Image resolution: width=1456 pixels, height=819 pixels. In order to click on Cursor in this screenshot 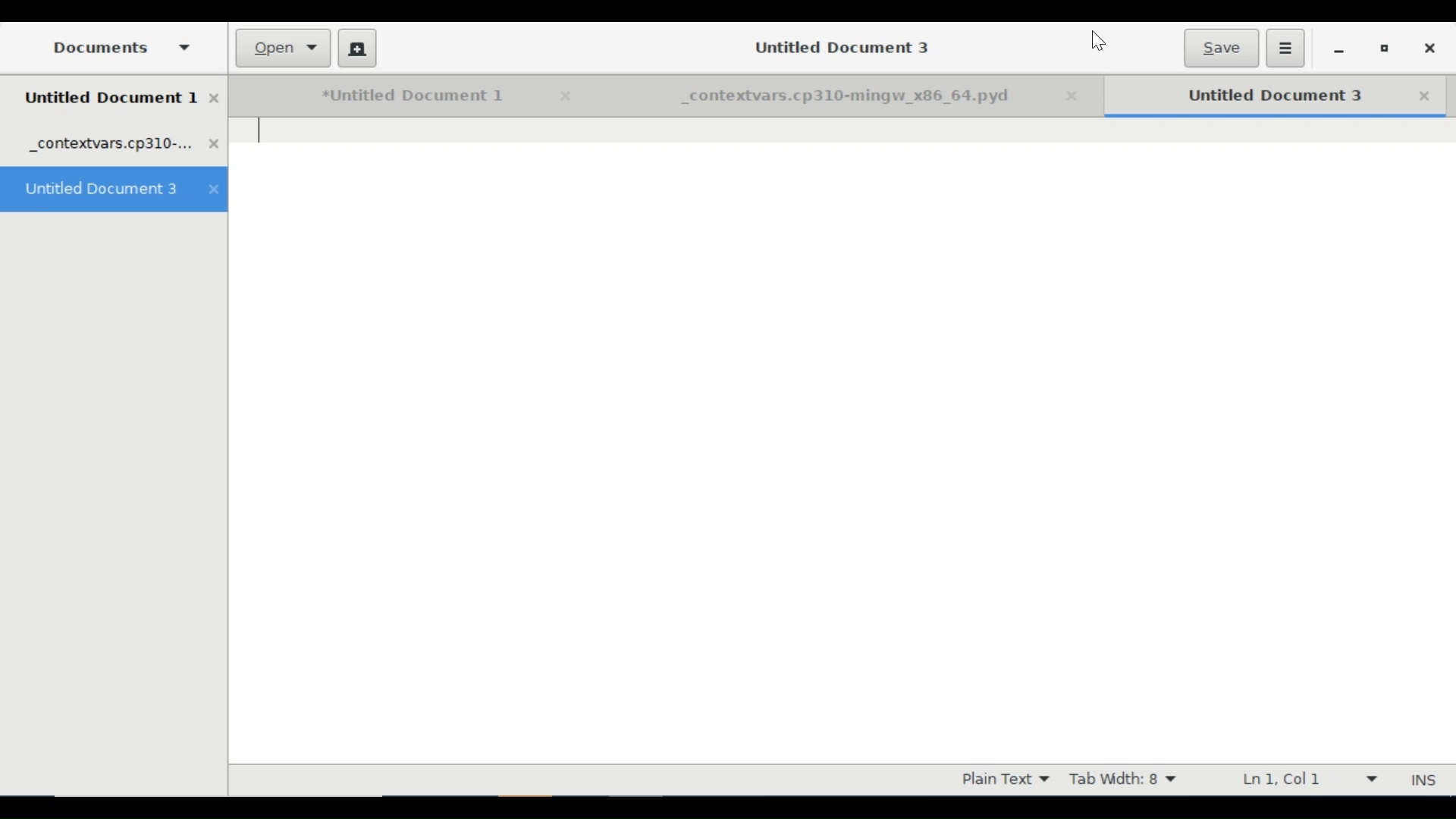, I will do `click(1098, 42)`.